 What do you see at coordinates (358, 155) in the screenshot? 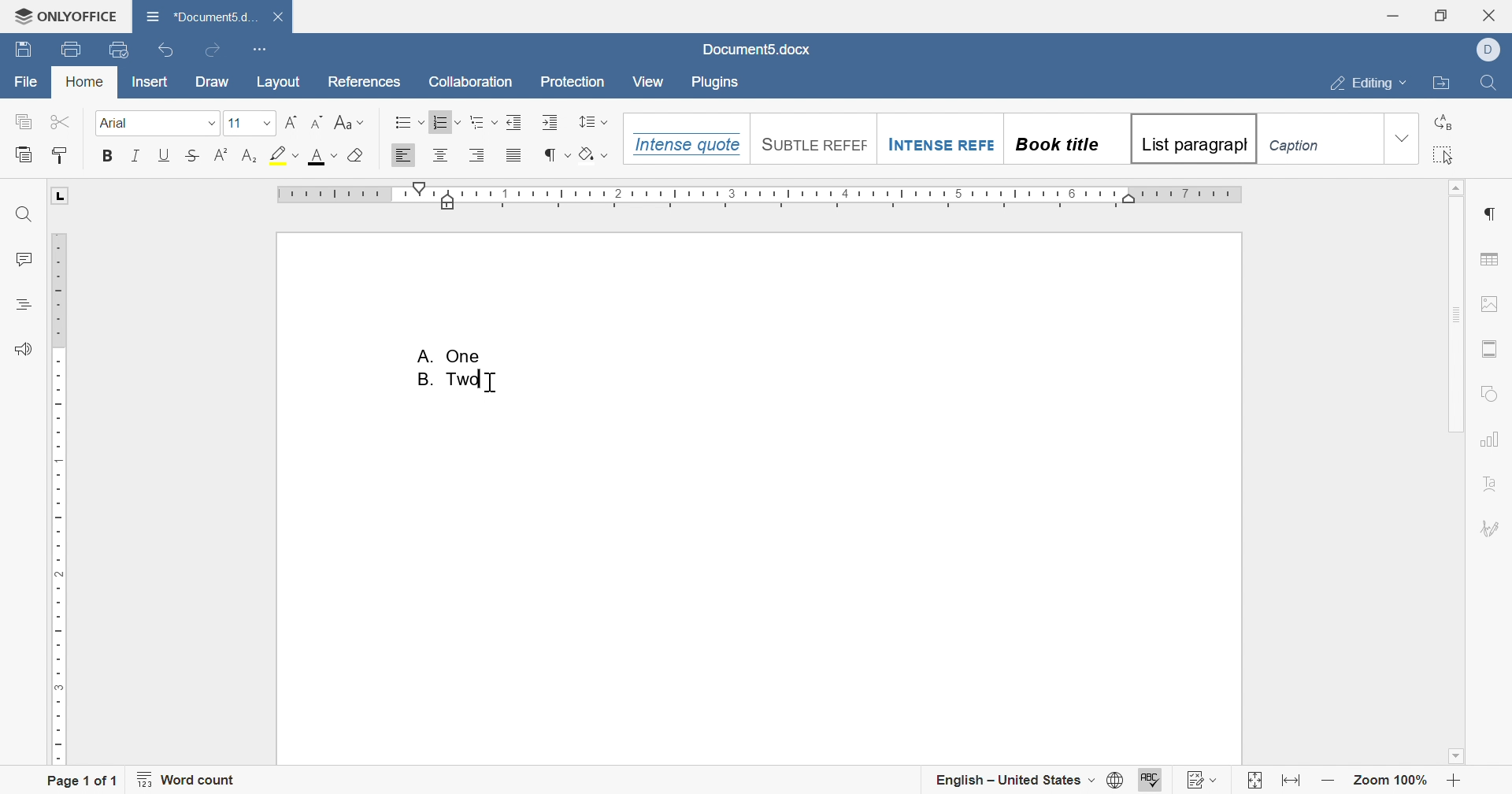
I see `Clear style` at bounding box center [358, 155].